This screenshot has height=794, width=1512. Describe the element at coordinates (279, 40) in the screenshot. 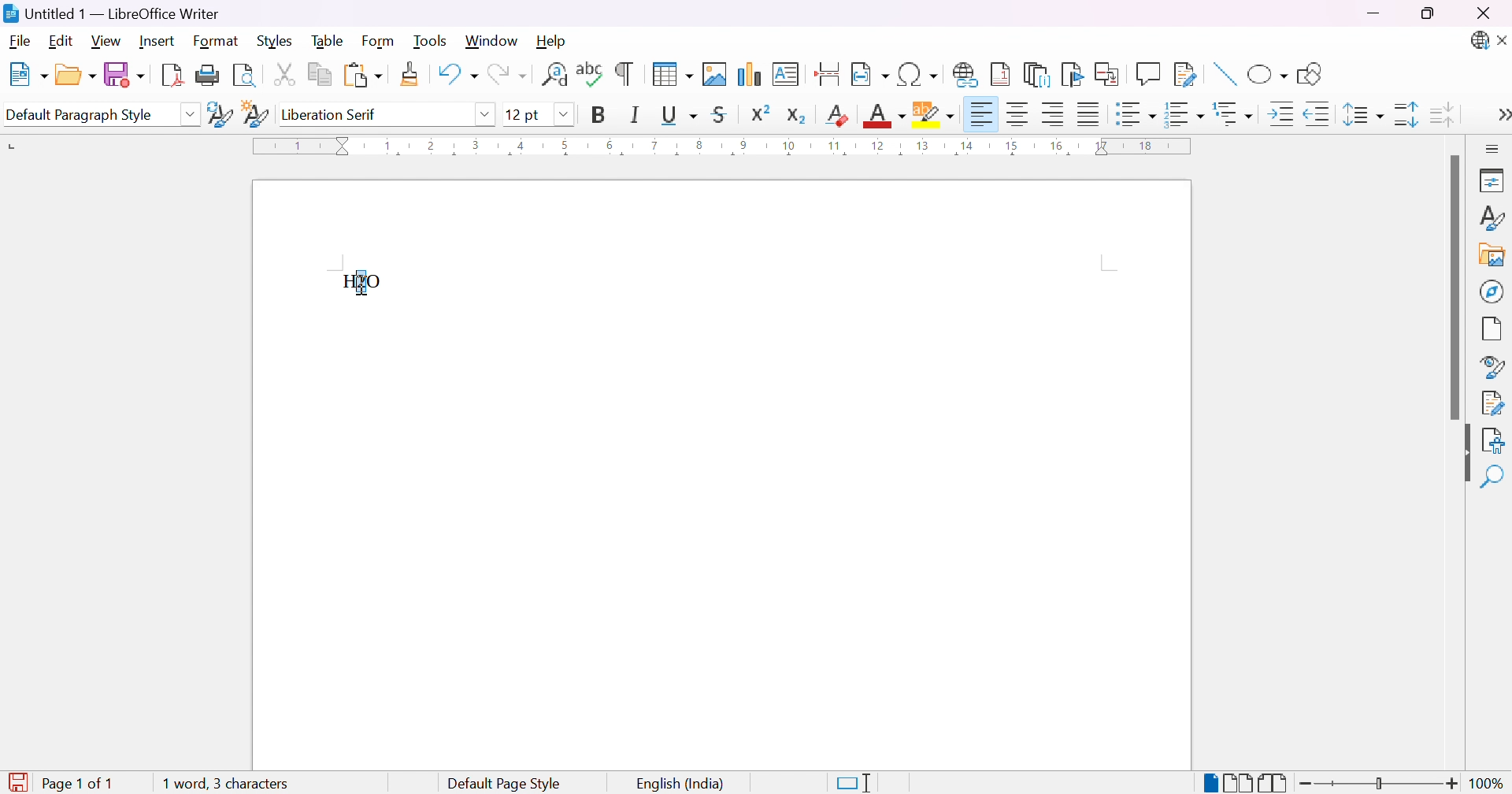

I see `Styles` at that location.